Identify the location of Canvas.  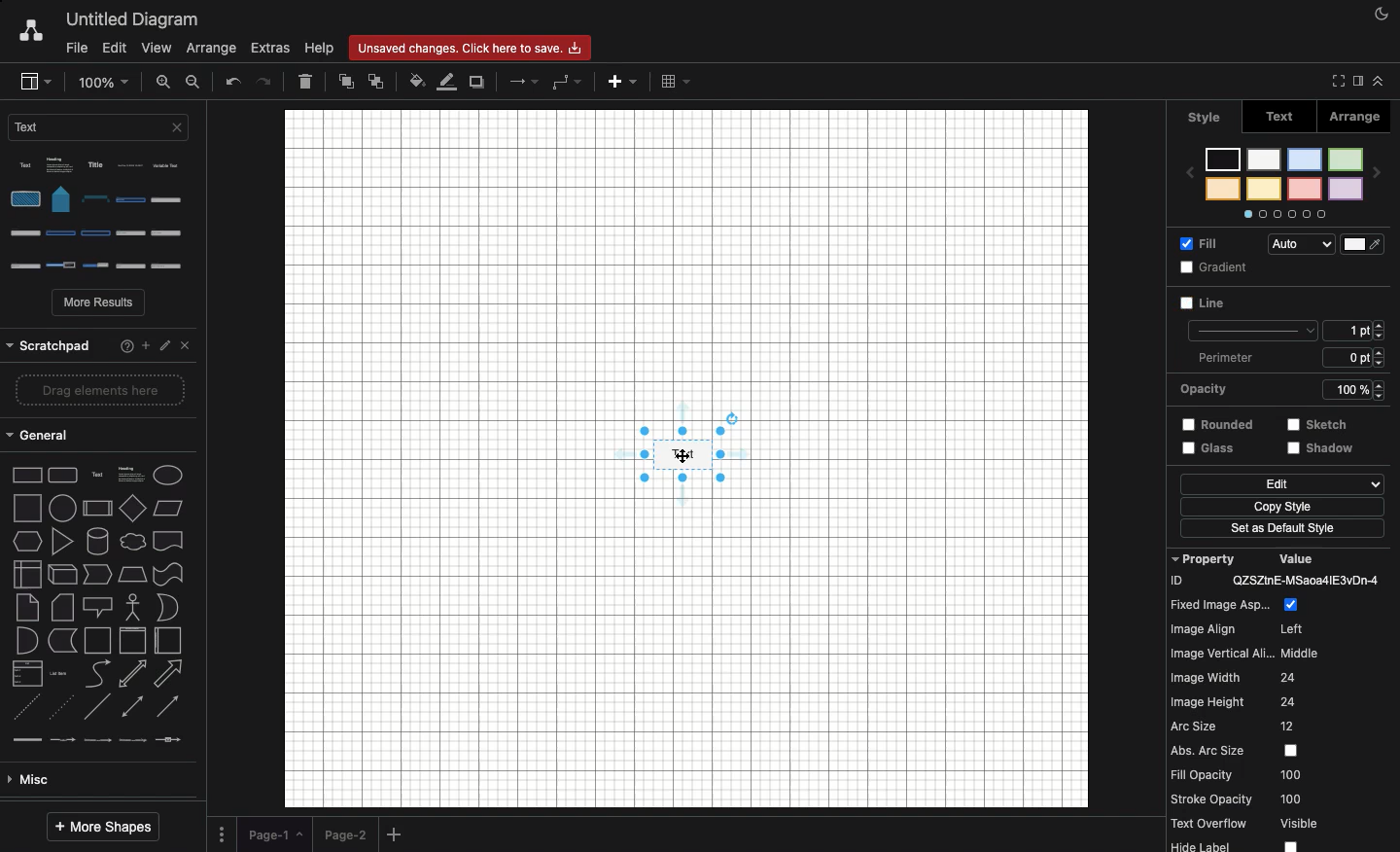
(686, 459).